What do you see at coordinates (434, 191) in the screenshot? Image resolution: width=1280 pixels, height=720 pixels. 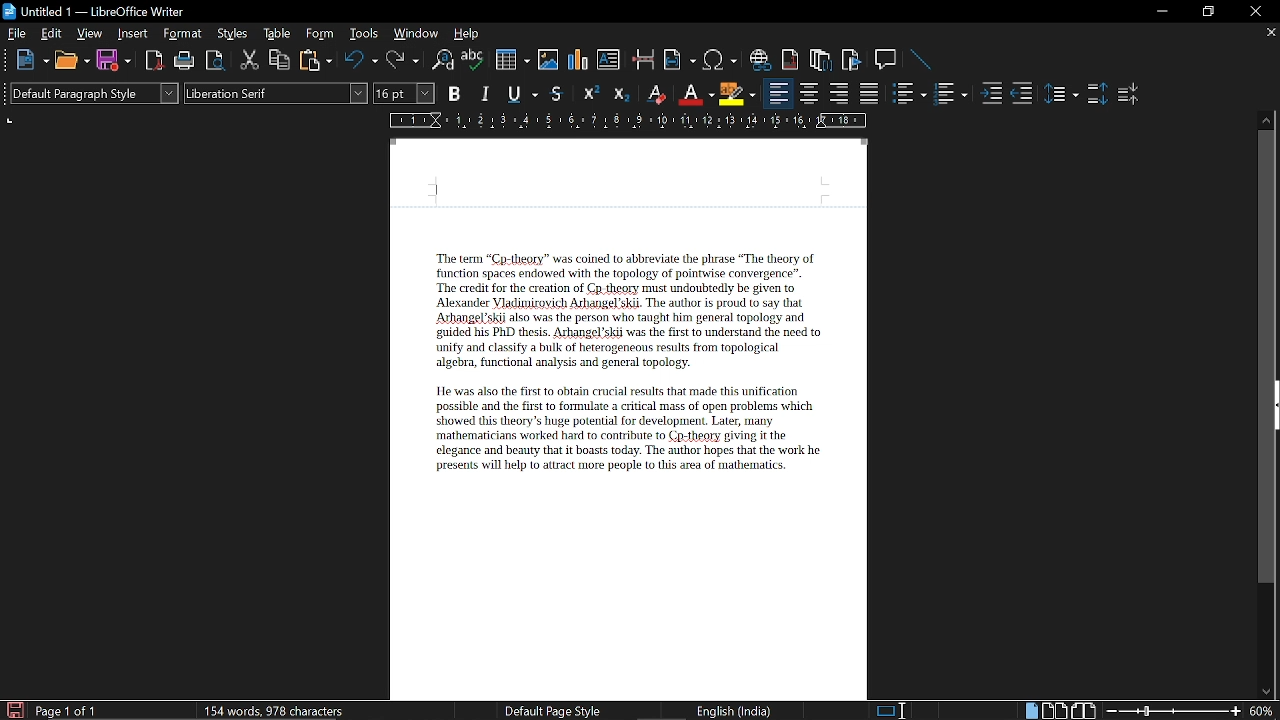 I see `cursor` at bounding box center [434, 191].